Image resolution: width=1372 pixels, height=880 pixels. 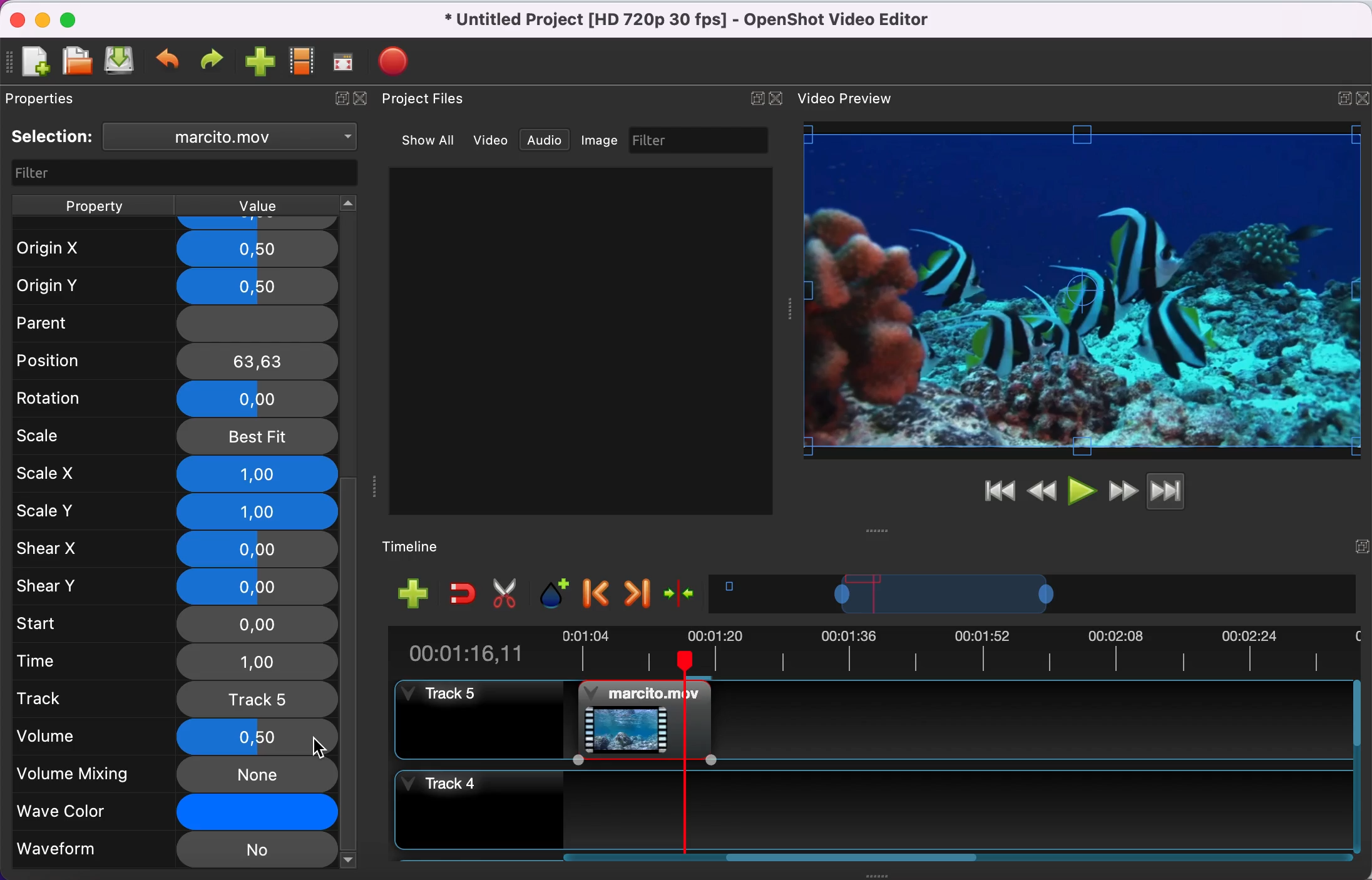 I want to click on close, so click(x=779, y=97).